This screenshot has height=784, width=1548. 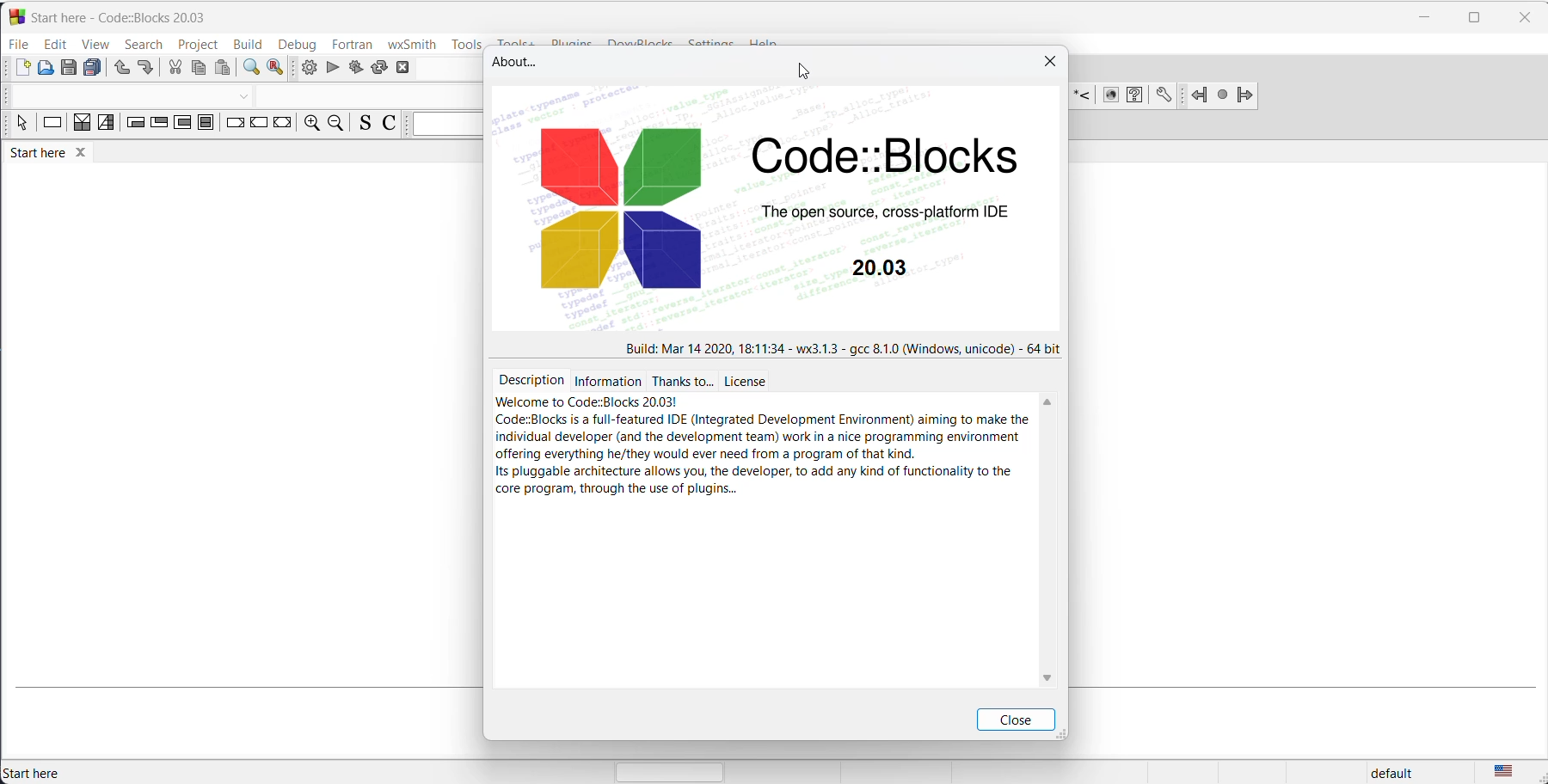 I want to click on comment, so click(x=1084, y=96).